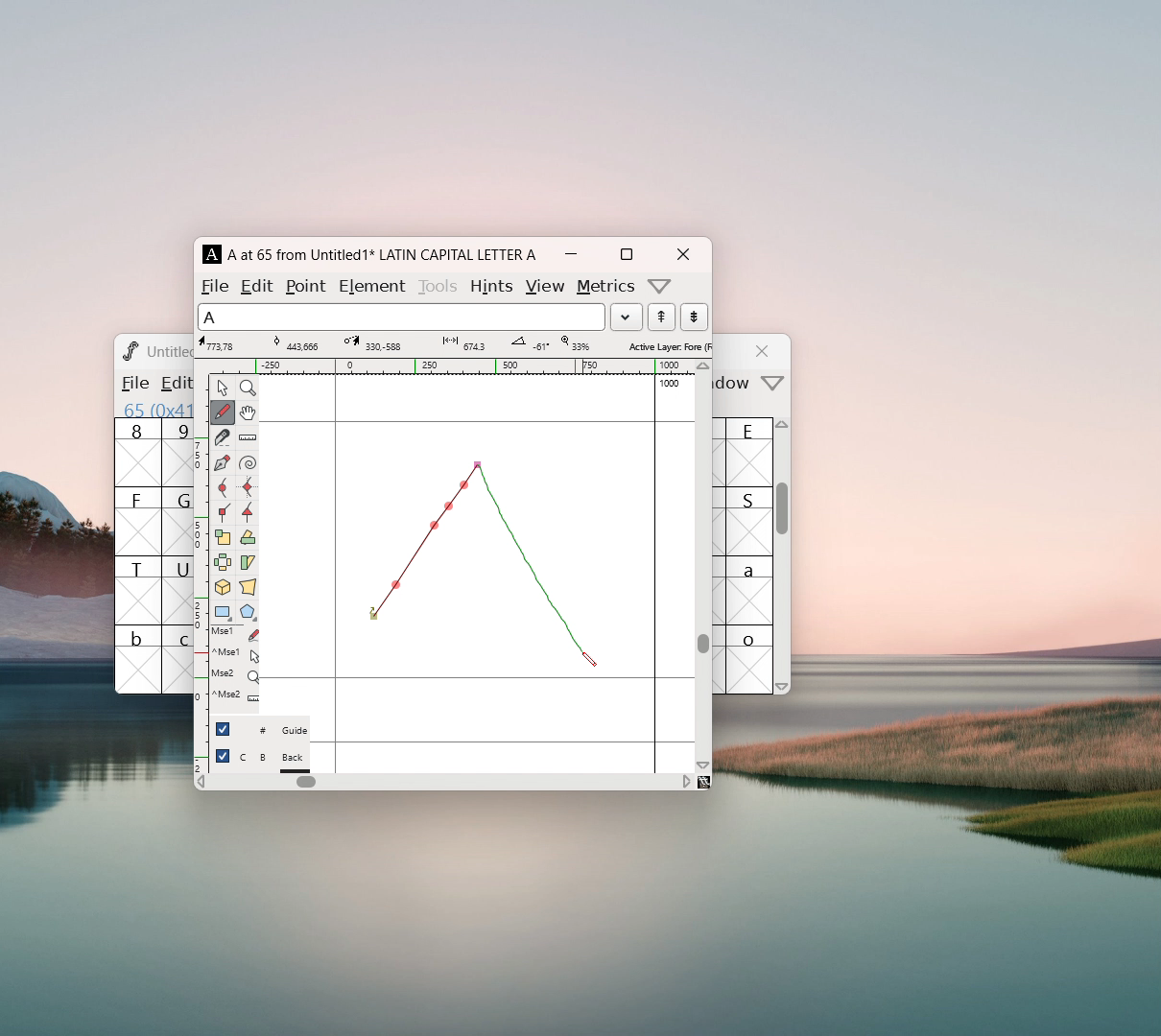  Describe the element at coordinates (248, 388) in the screenshot. I see `maginify` at that location.